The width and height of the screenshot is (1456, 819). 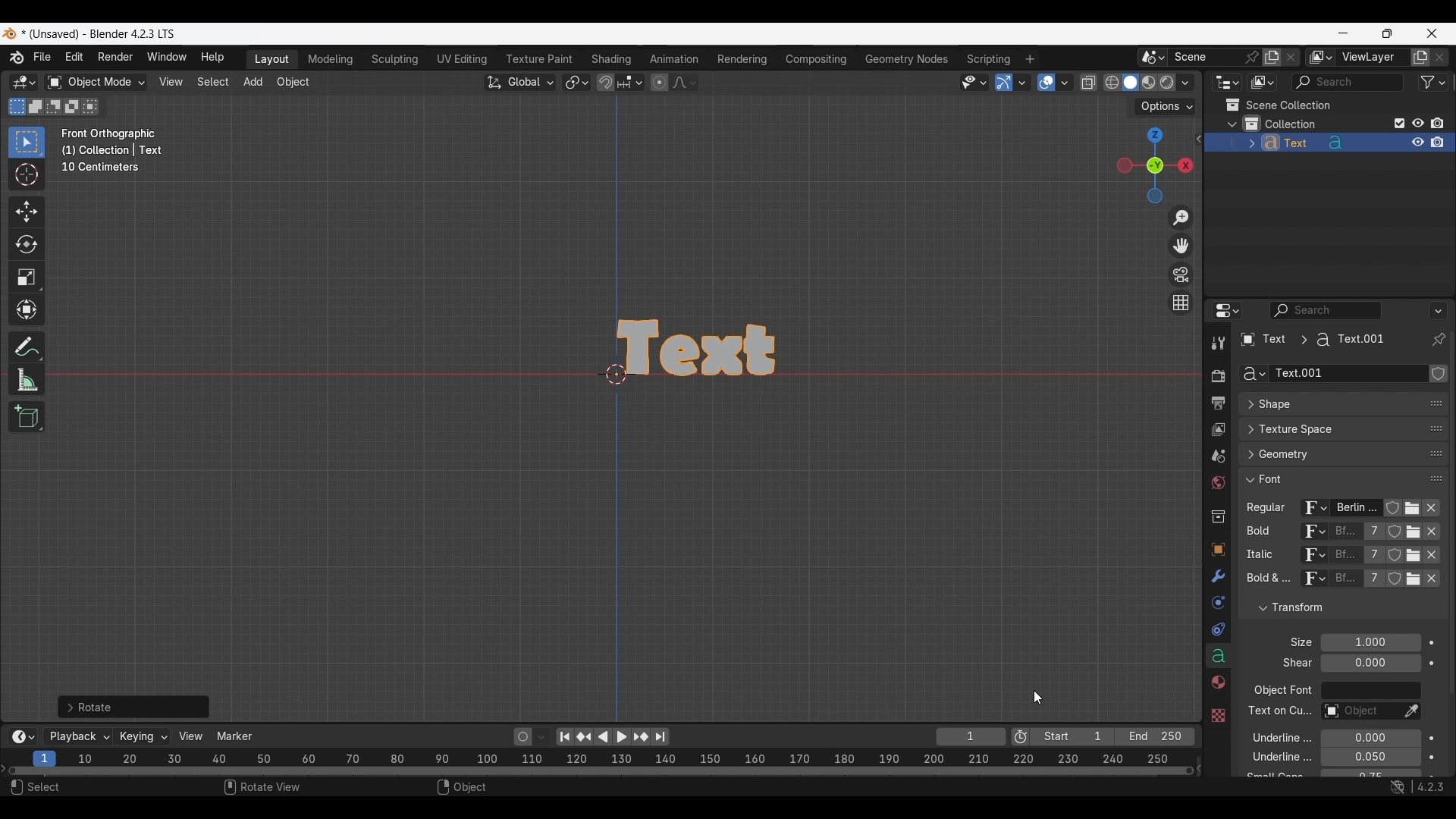 I want to click on Select, so click(x=75, y=789).